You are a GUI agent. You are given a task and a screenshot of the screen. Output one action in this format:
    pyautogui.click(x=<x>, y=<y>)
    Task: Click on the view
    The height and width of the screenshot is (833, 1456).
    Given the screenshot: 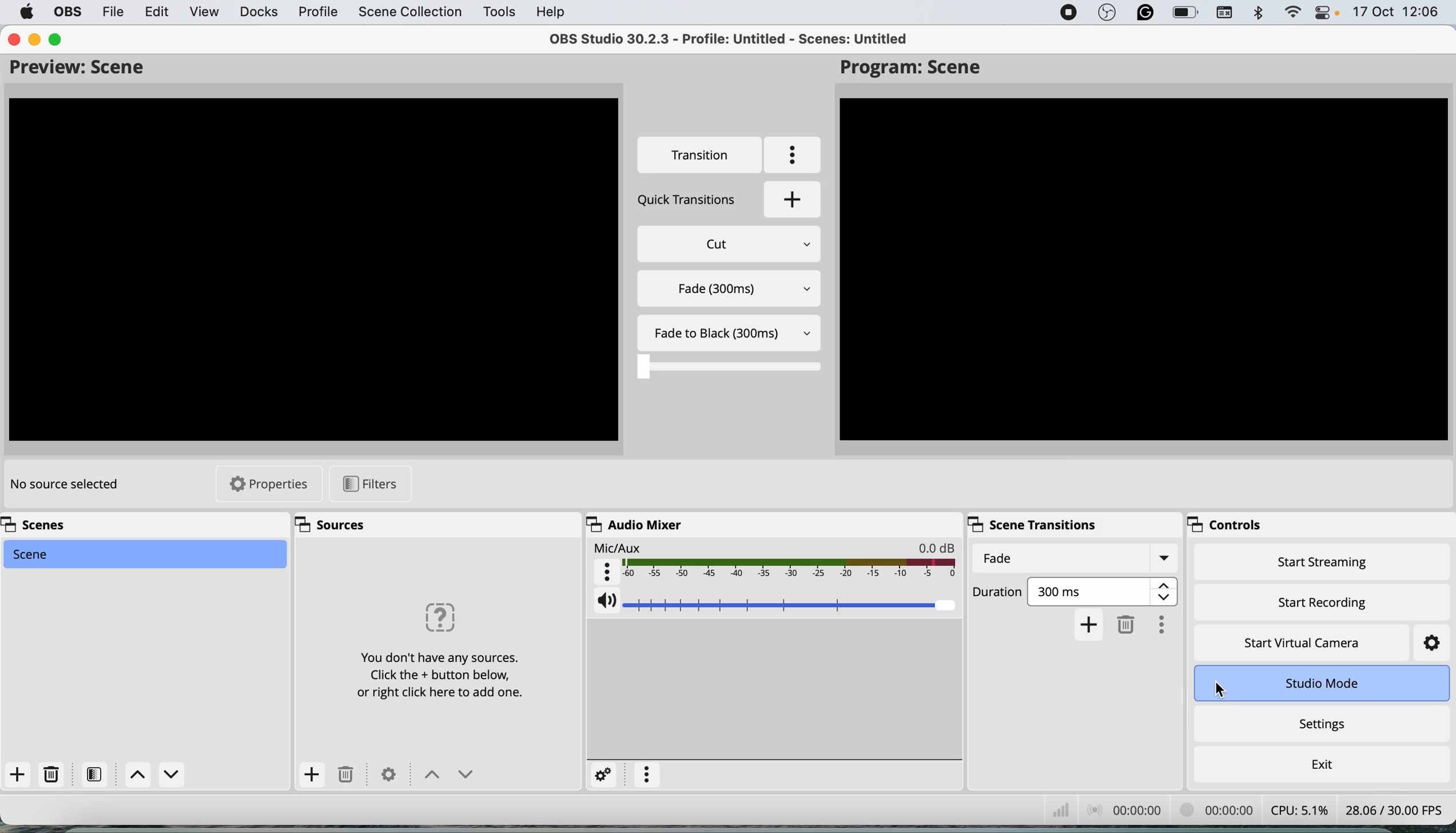 What is the action you would take?
    pyautogui.click(x=204, y=11)
    